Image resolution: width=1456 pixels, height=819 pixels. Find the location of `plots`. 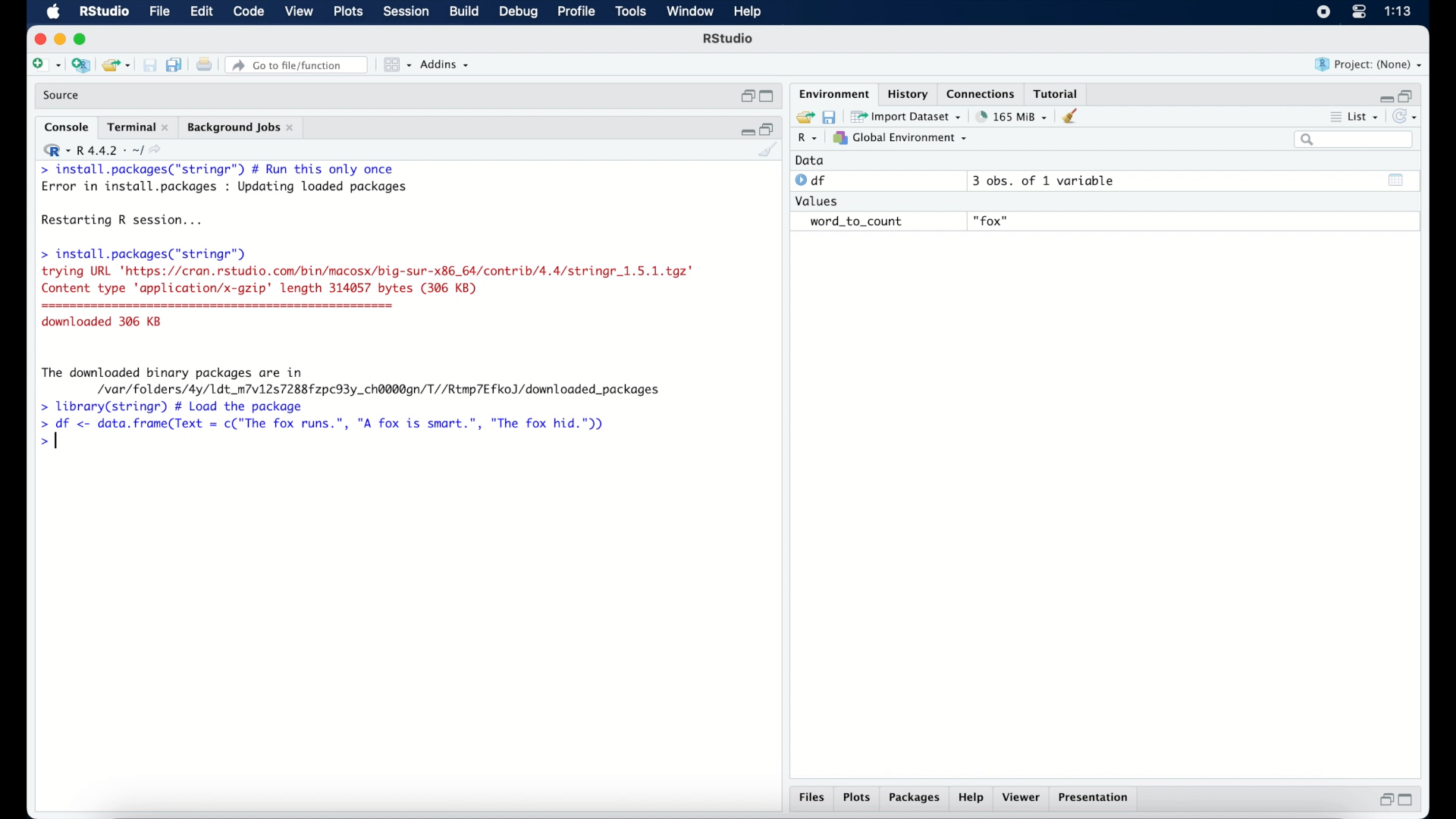

plots is located at coordinates (857, 799).